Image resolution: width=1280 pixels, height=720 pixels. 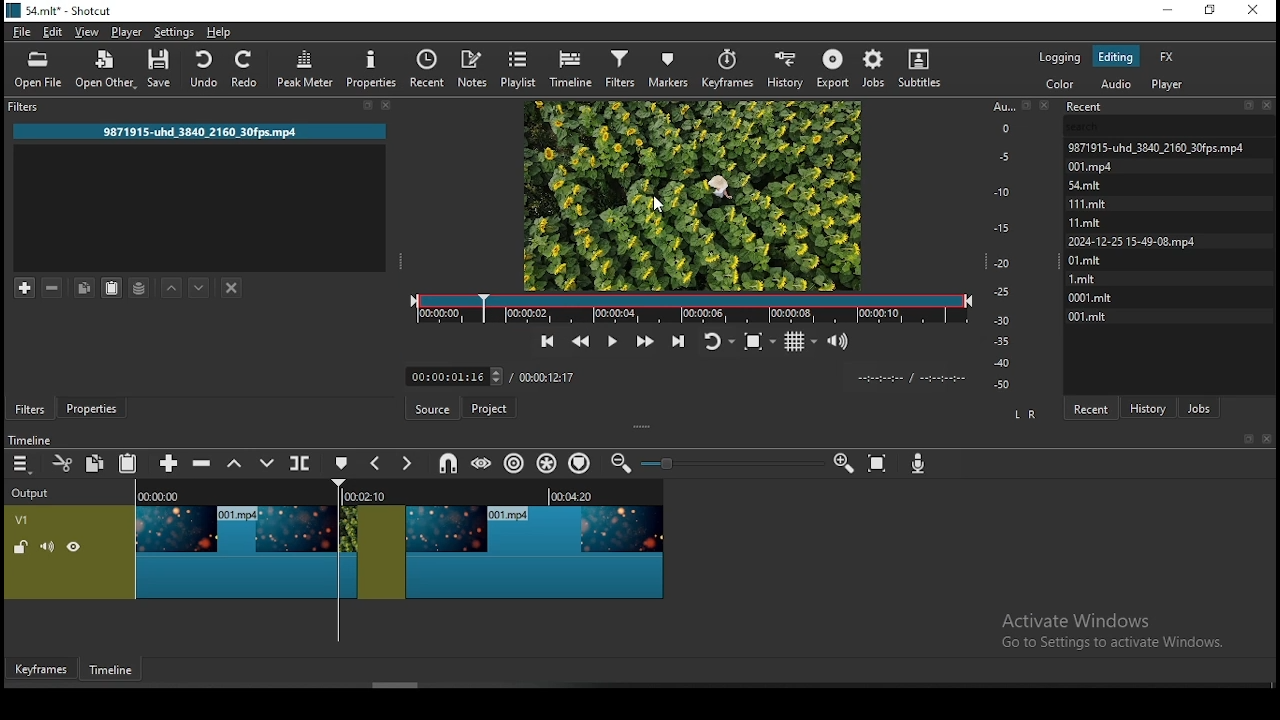 What do you see at coordinates (35, 519) in the screenshot?
I see `V1` at bounding box center [35, 519].